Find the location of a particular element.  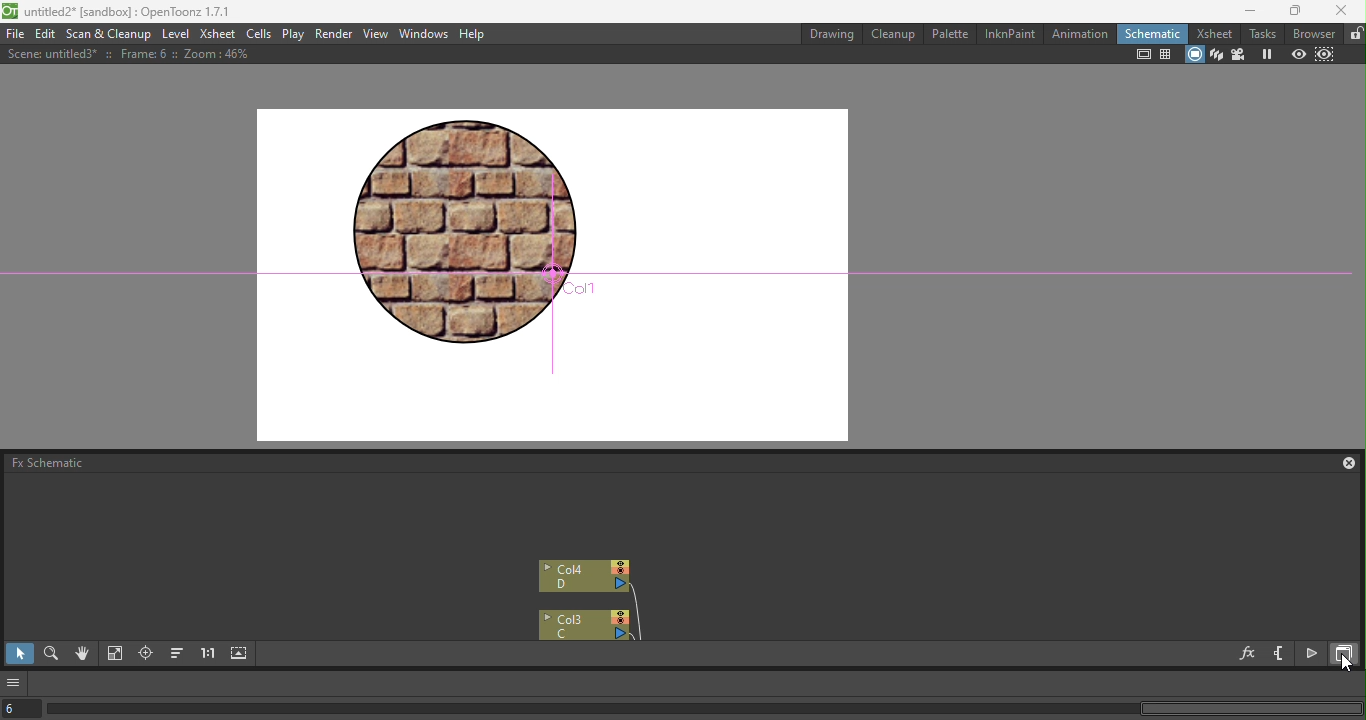

Selection mode is located at coordinates (18, 654).